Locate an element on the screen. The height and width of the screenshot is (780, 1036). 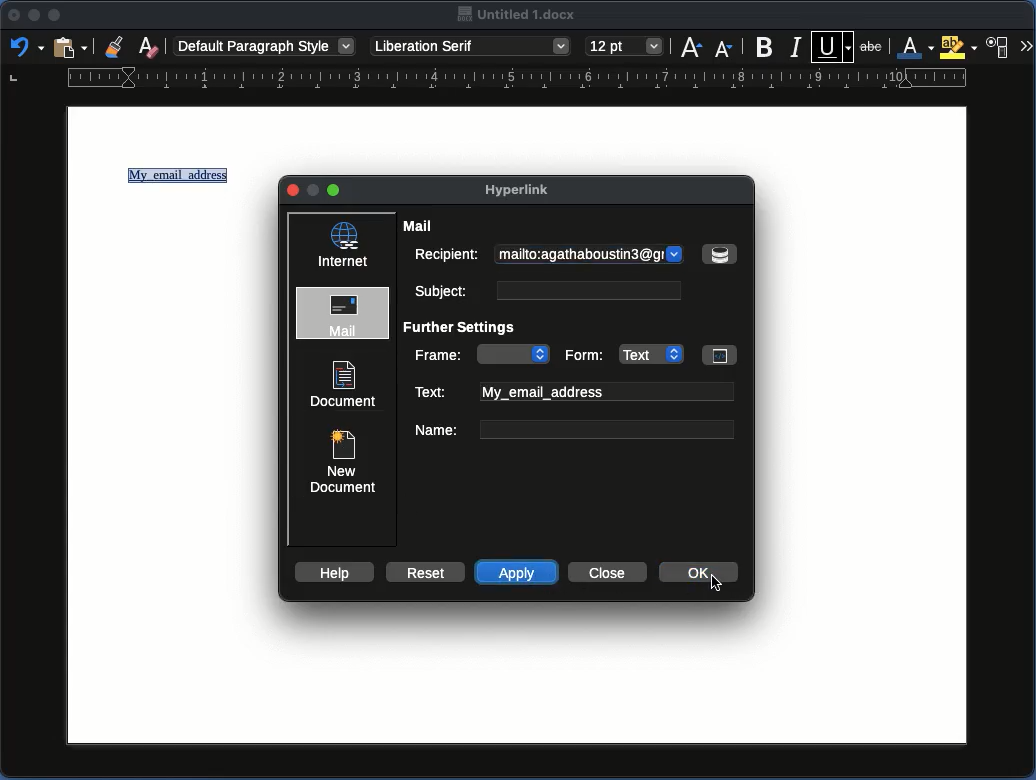
Recipient is located at coordinates (446, 253).